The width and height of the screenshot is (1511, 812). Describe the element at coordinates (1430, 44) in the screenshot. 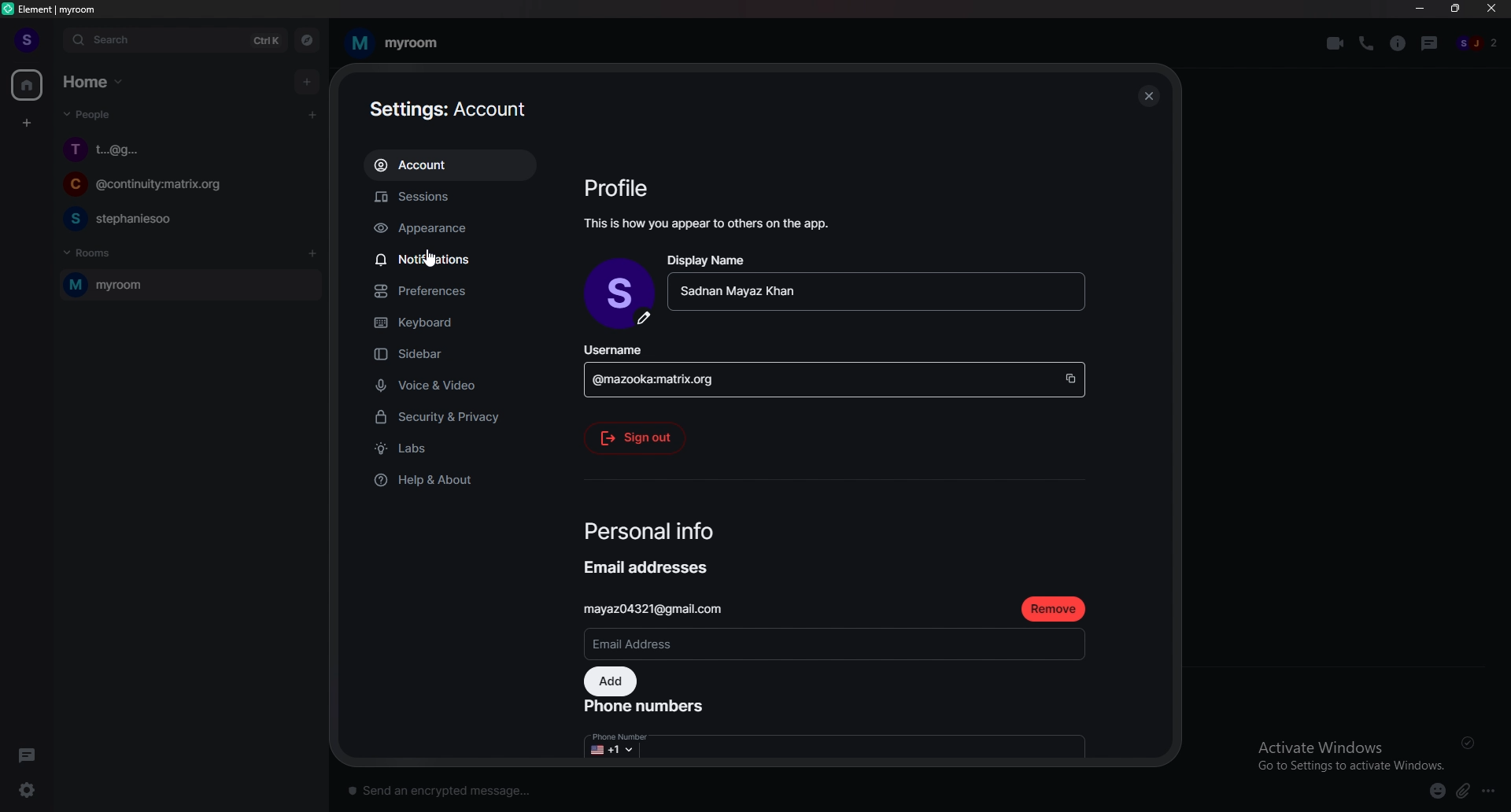

I see `thread` at that location.